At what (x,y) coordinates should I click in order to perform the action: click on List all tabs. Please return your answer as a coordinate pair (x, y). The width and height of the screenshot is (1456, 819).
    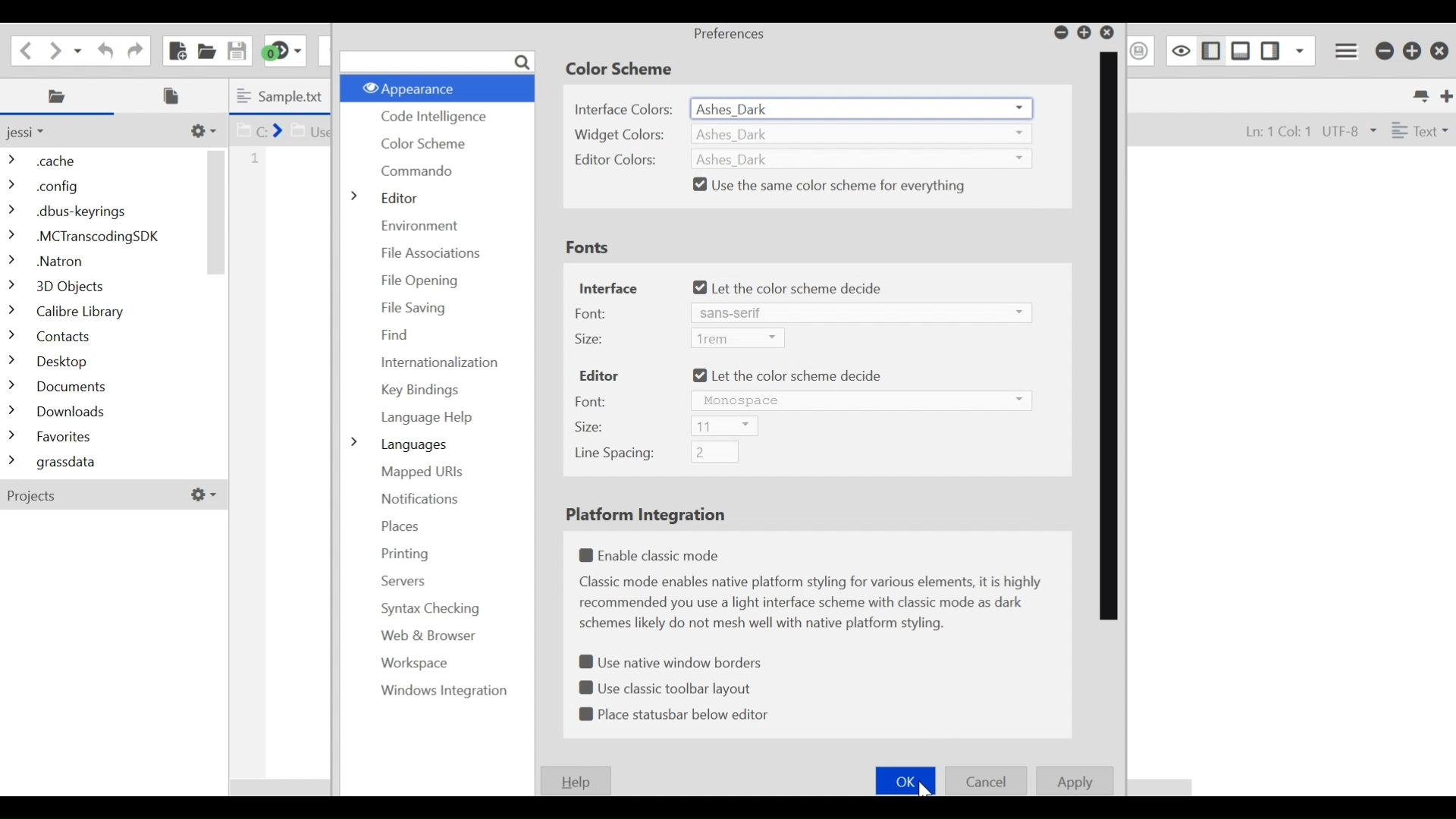
    Looking at the image, I should click on (1419, 94).